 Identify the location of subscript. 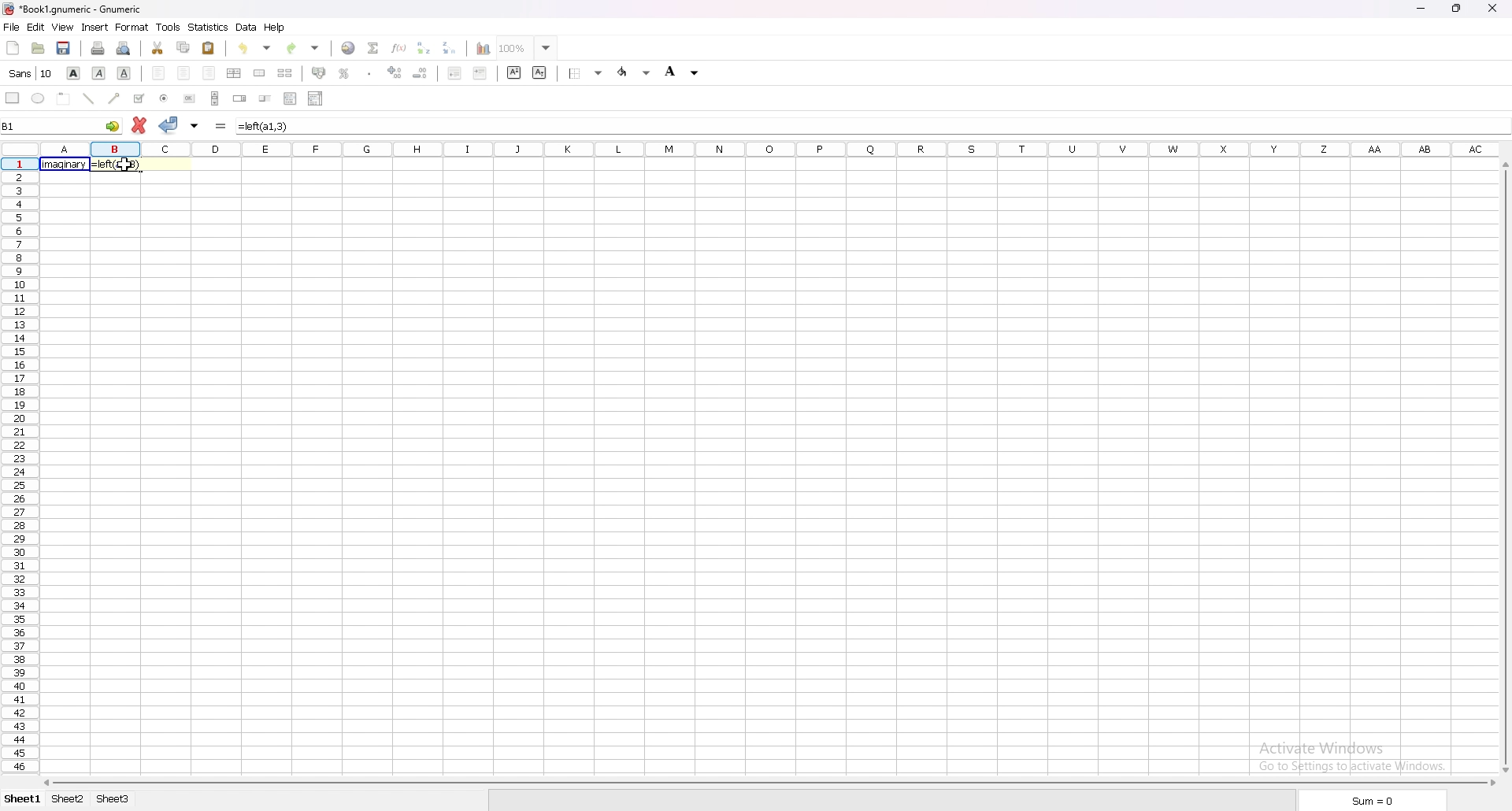
(542, 72).